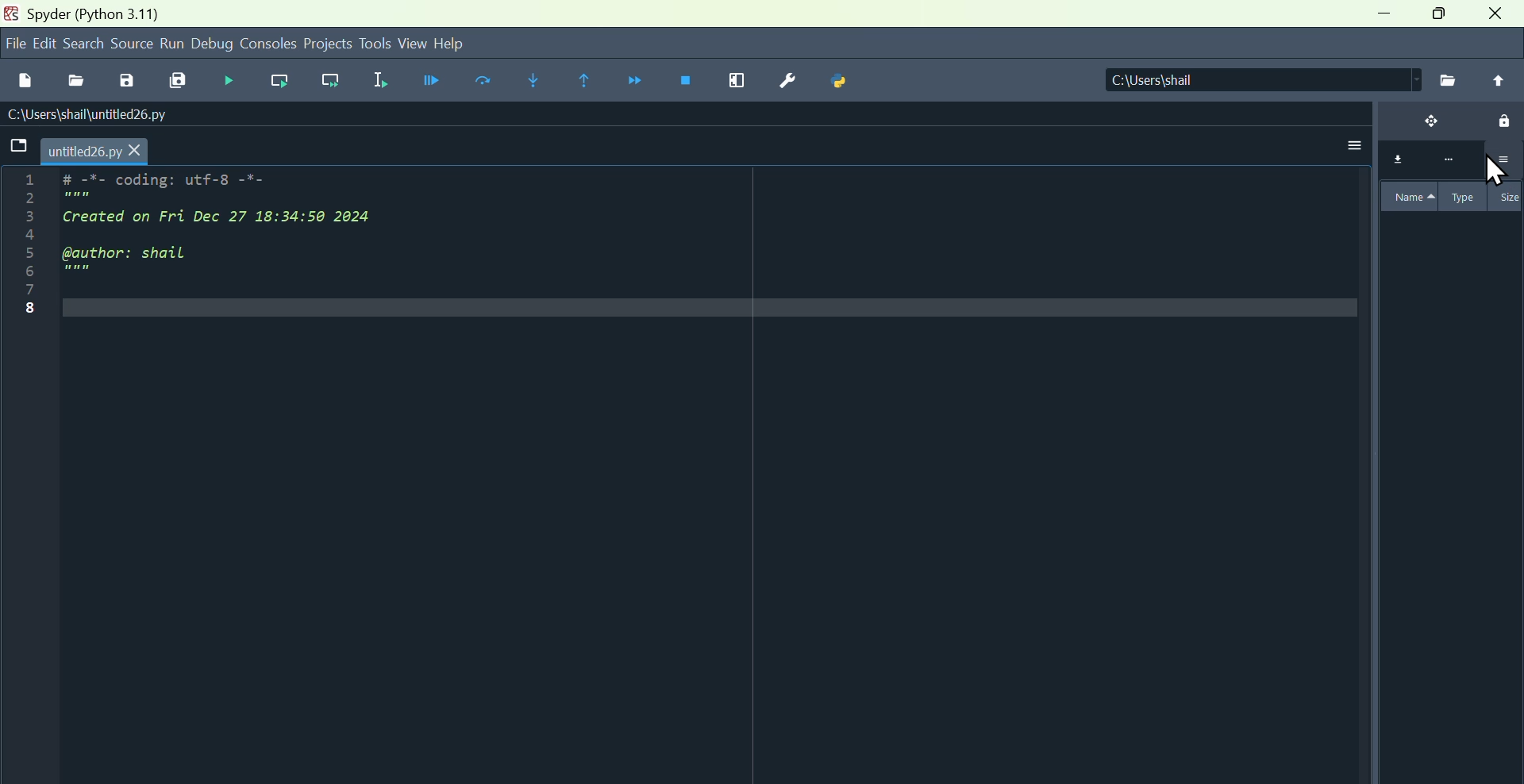  What do you see at coordinates (638, 83) in the screenshot?
I see `Continue execution until next function` at bounding box center [638, 83].